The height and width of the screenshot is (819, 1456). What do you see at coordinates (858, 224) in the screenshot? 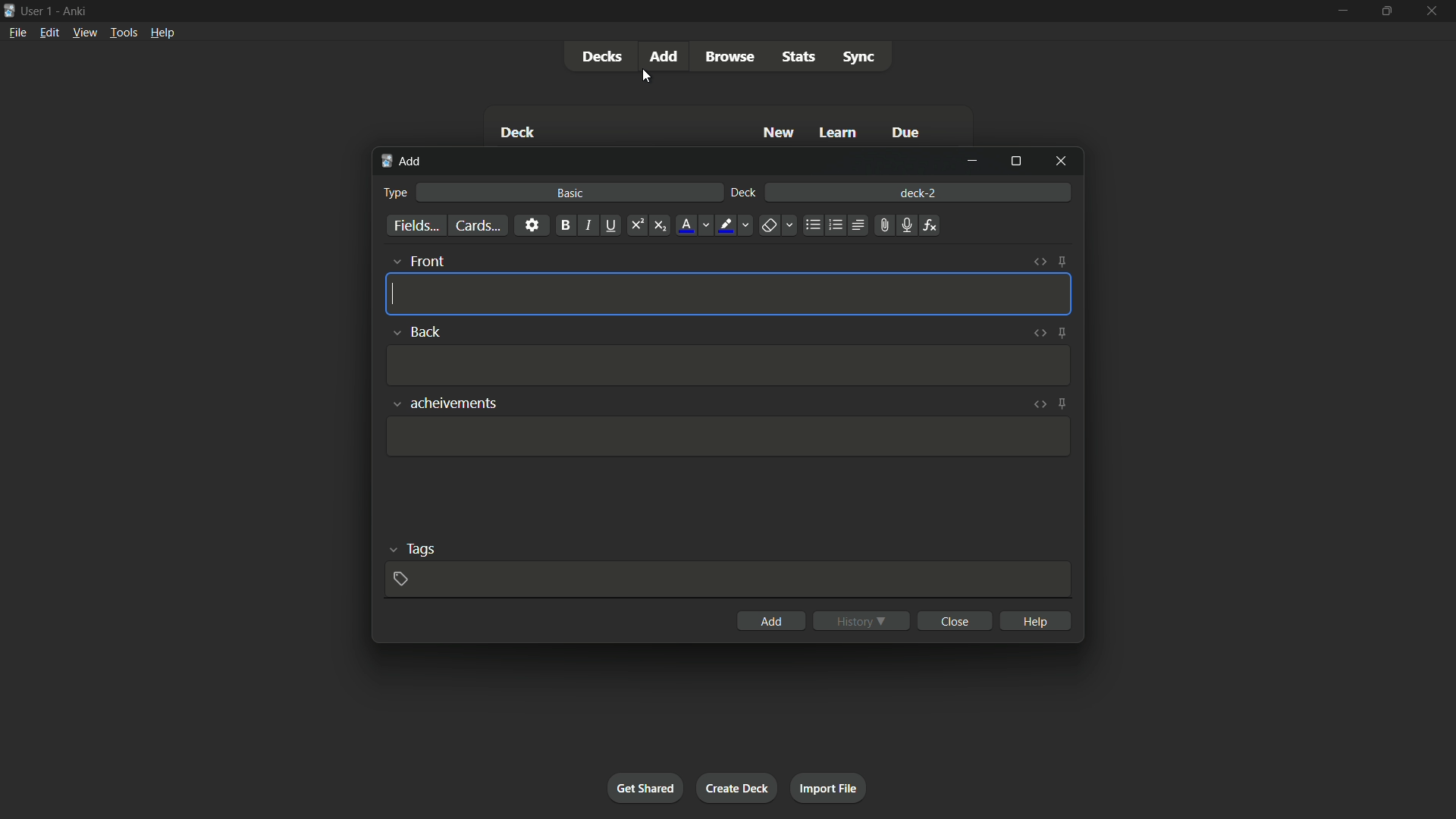
I see `alignment` at bounding box center [858, 224].